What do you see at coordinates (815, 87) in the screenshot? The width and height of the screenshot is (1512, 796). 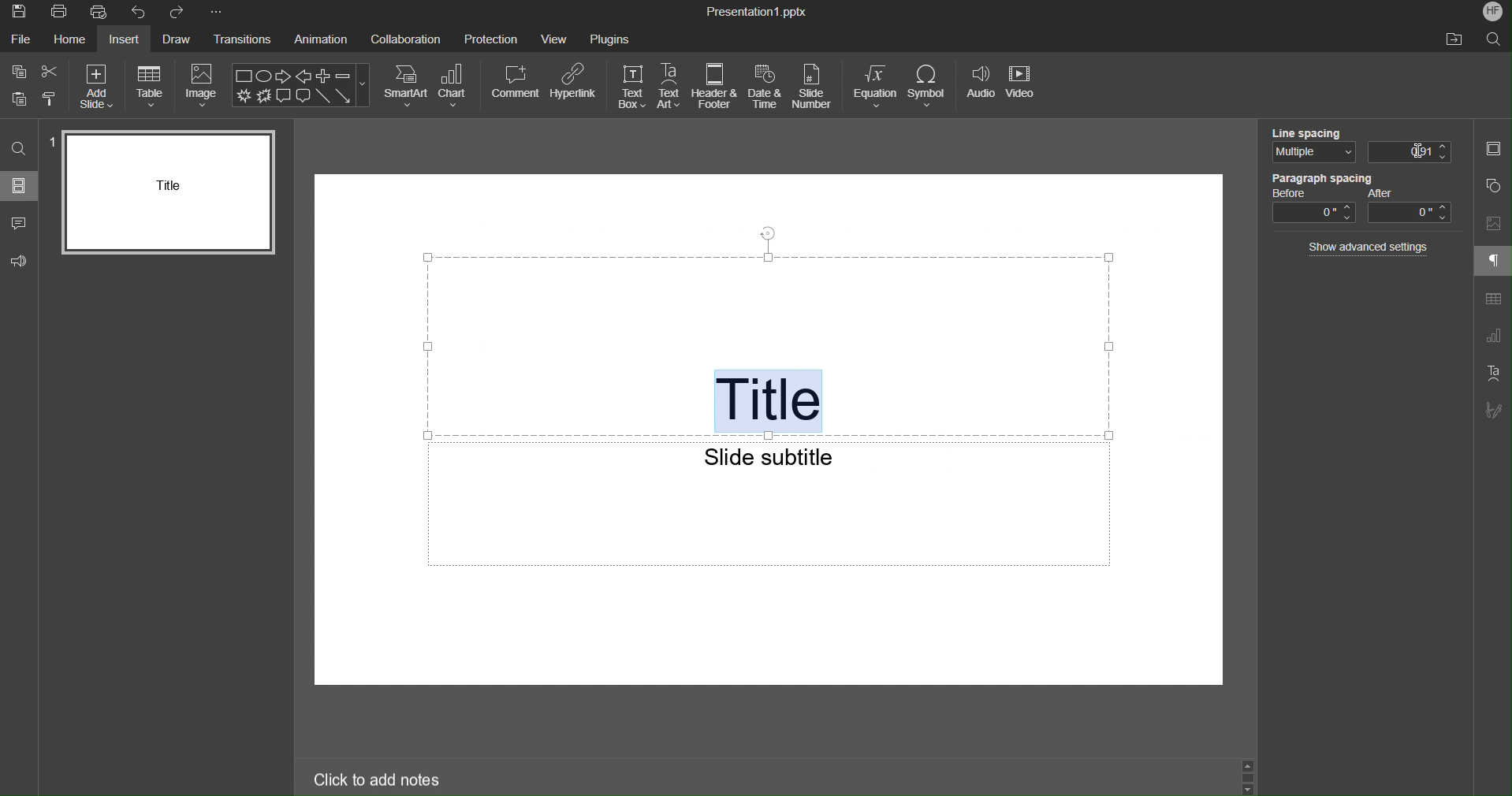 I see `Slide Number` at bounding box center [815, 87].